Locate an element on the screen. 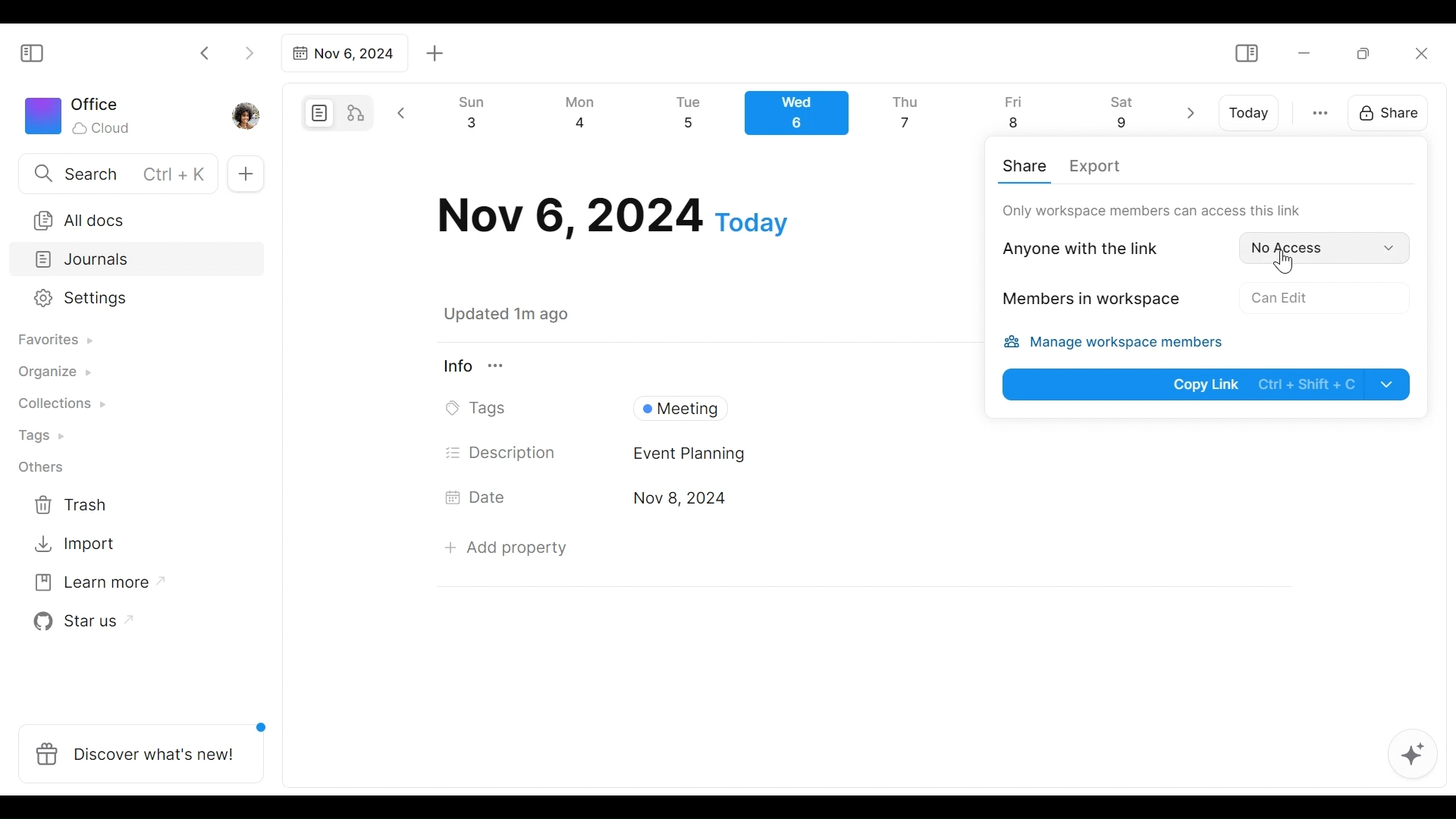  vertical scrollbar is located at coordinates (1442, 431).